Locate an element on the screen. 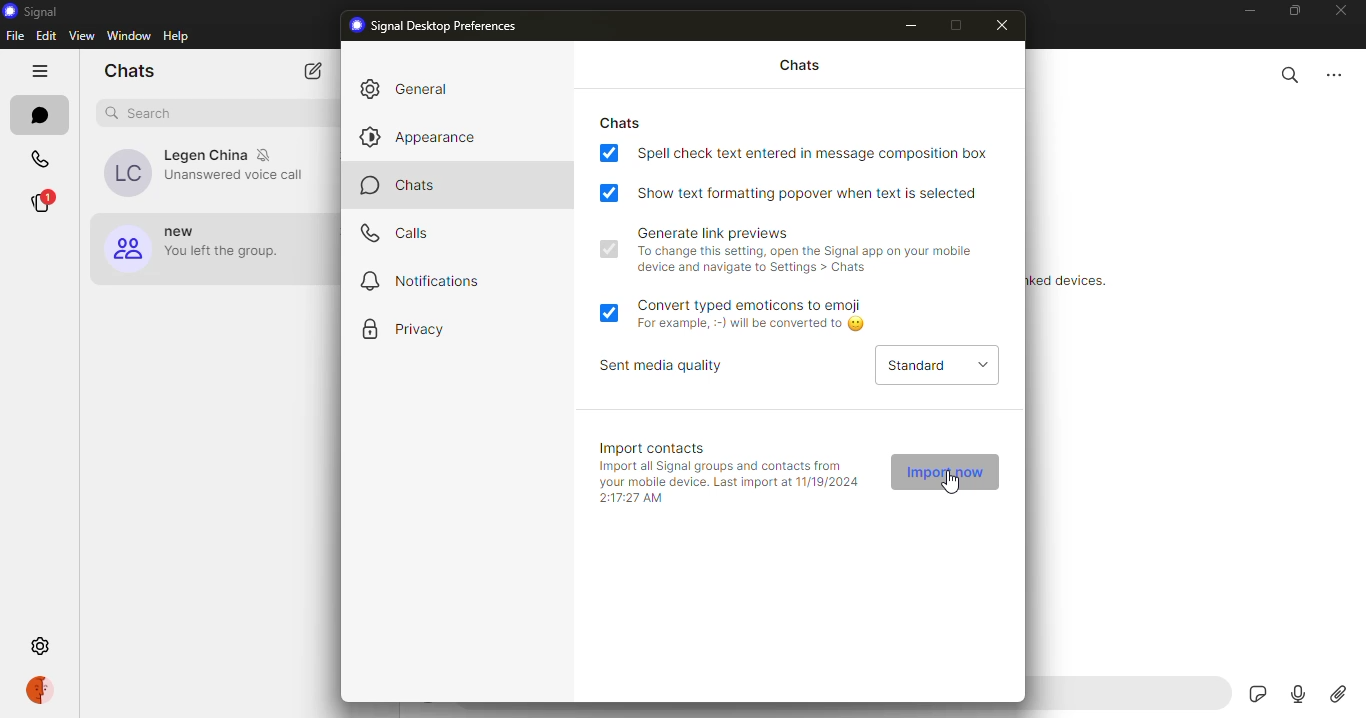 The height and width of the screenshot is (718, 1366). search is located at coordinates (1290, 75).